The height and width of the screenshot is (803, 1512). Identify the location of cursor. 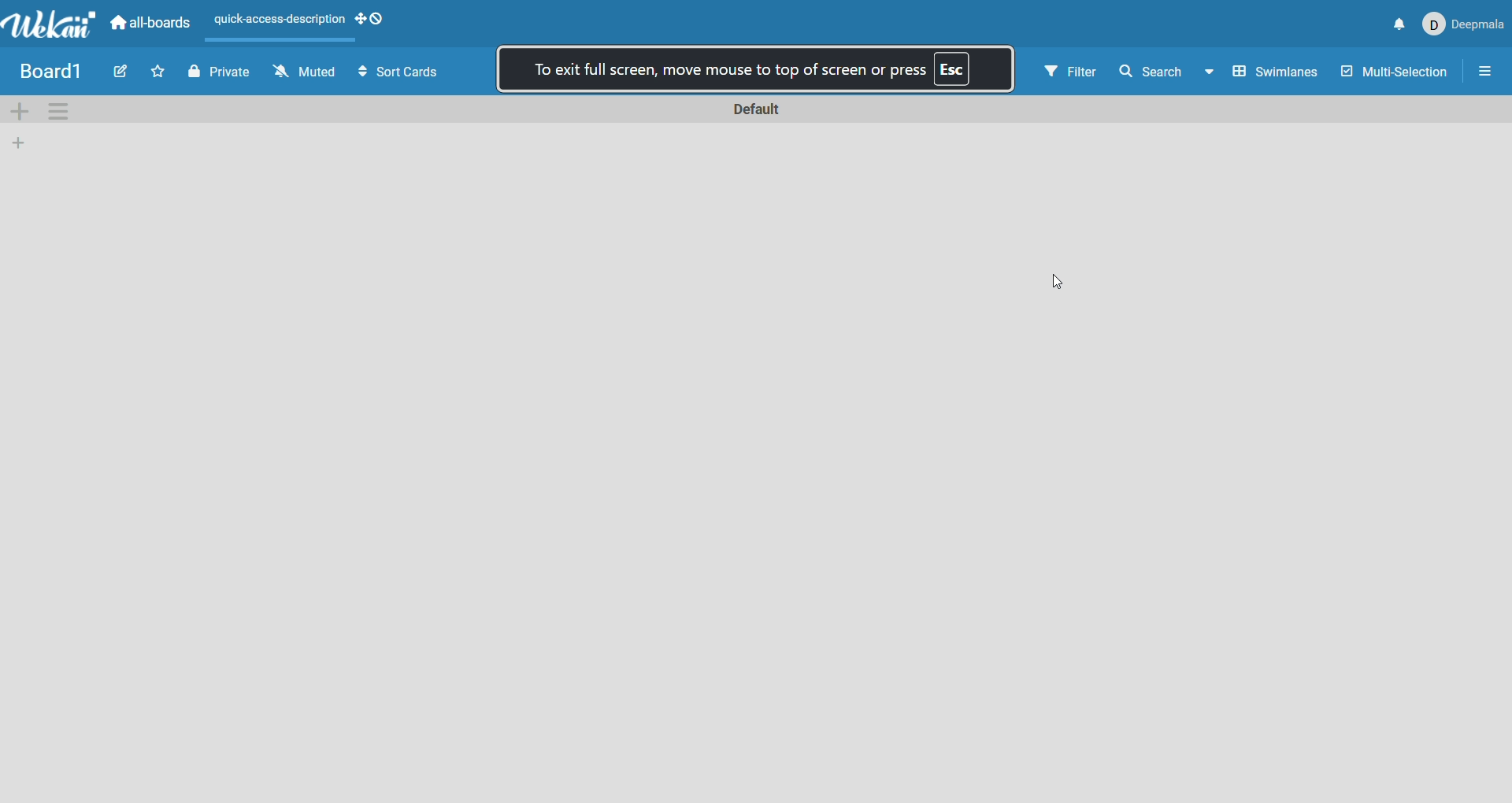
(1060, 283).